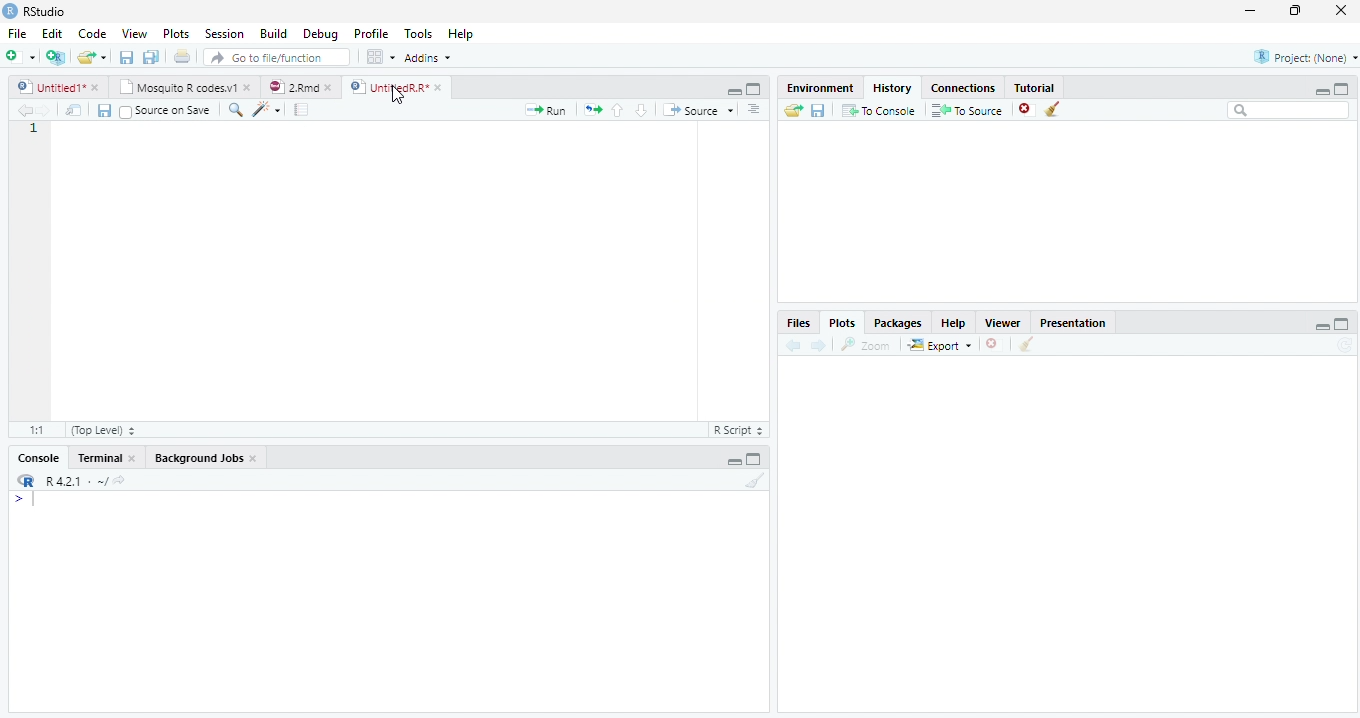 The height and width of the screenshot is (718, 1360). Describe the element at coordinates (1073, 322) in the screenshot. I see `Presentation` at that location.